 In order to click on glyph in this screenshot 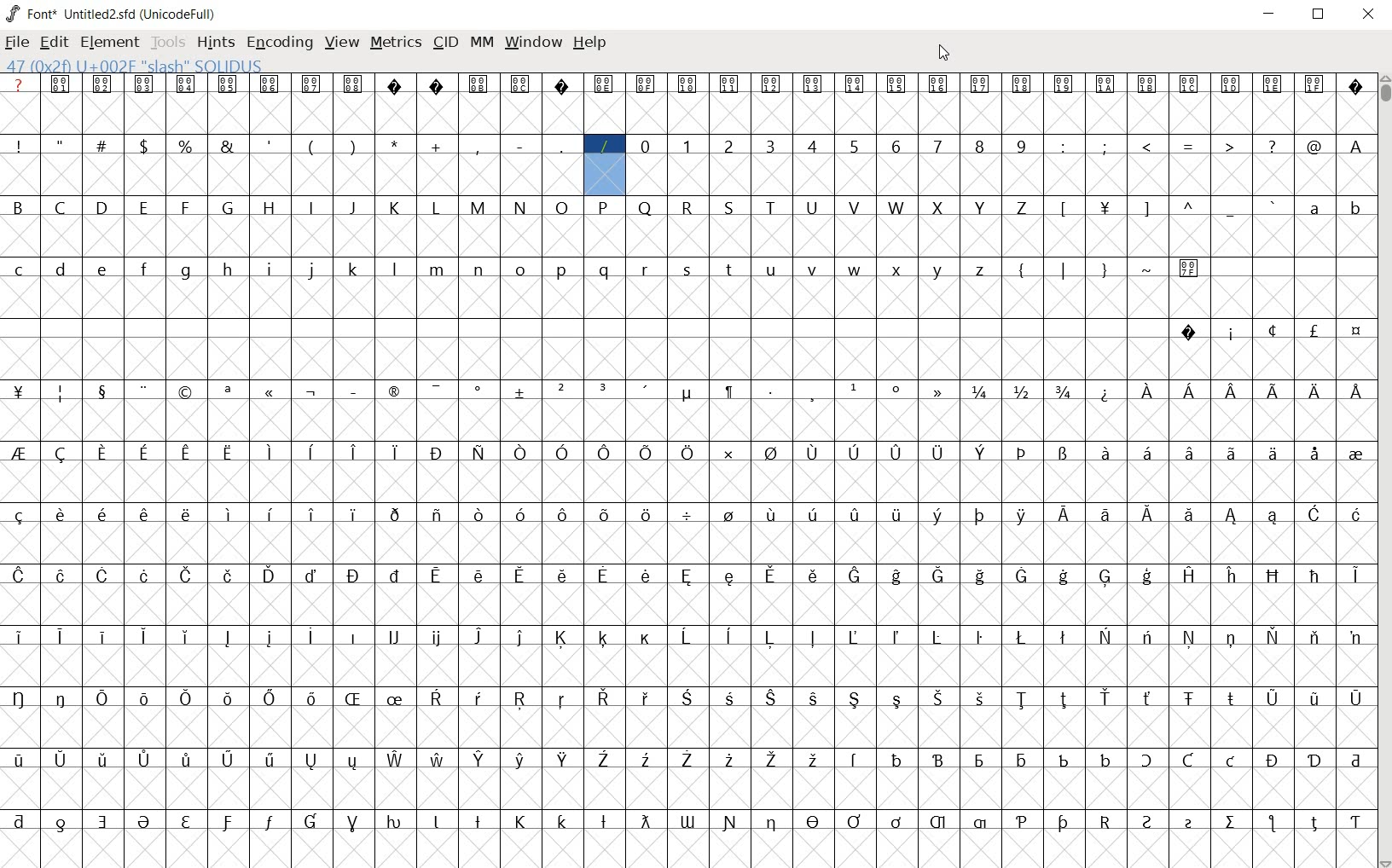, I will do `click(61, 394)`.